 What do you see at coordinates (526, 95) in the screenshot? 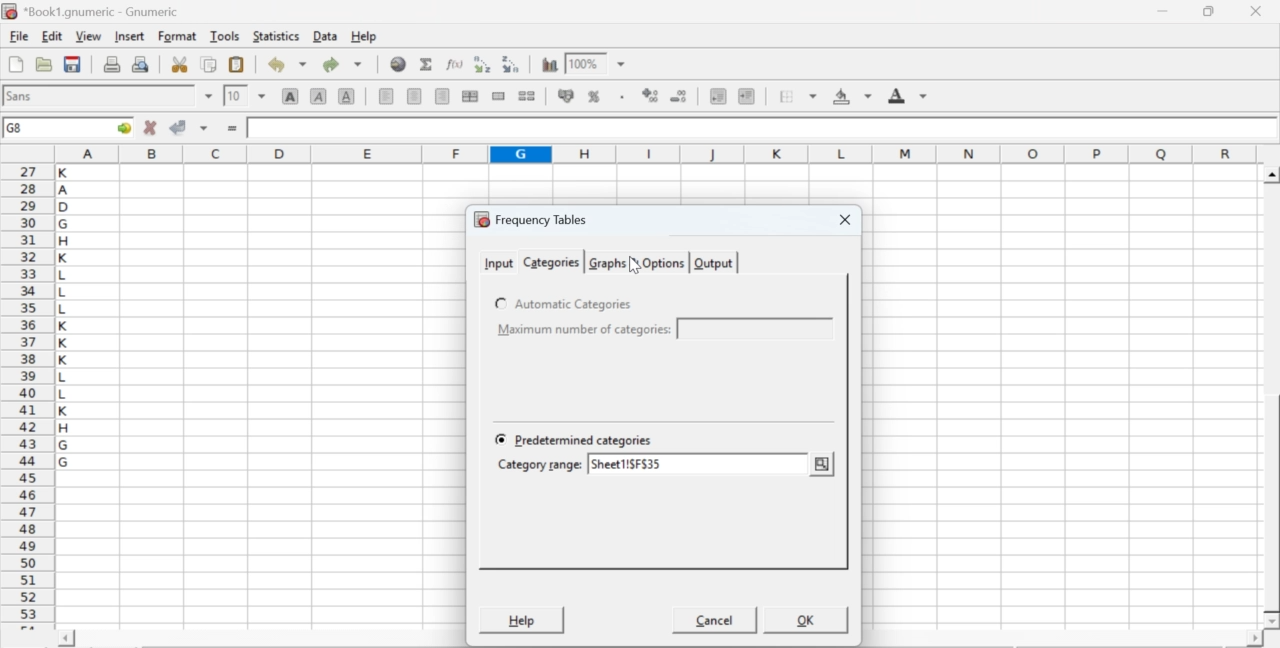
I see `split merged ranges of cells` at bounding box center [526, 95].